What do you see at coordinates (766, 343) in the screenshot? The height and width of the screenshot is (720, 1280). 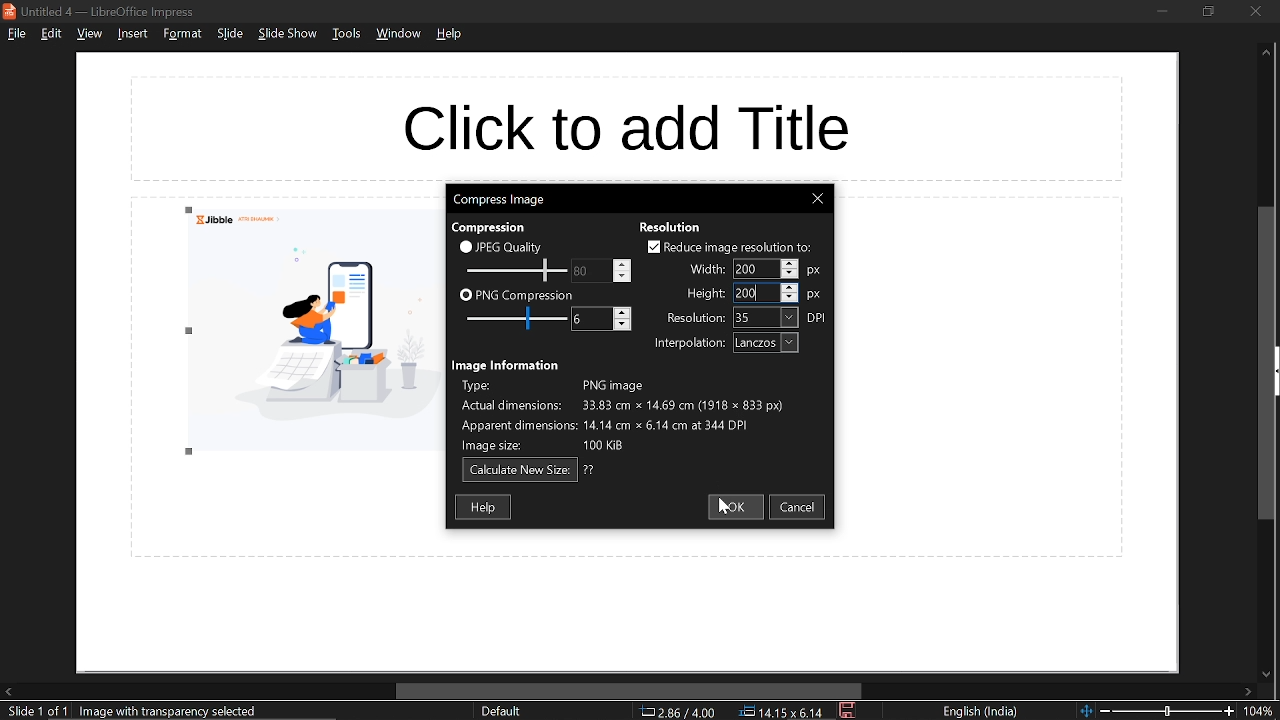 I see `interpolation` at bounding box center [766, 343].